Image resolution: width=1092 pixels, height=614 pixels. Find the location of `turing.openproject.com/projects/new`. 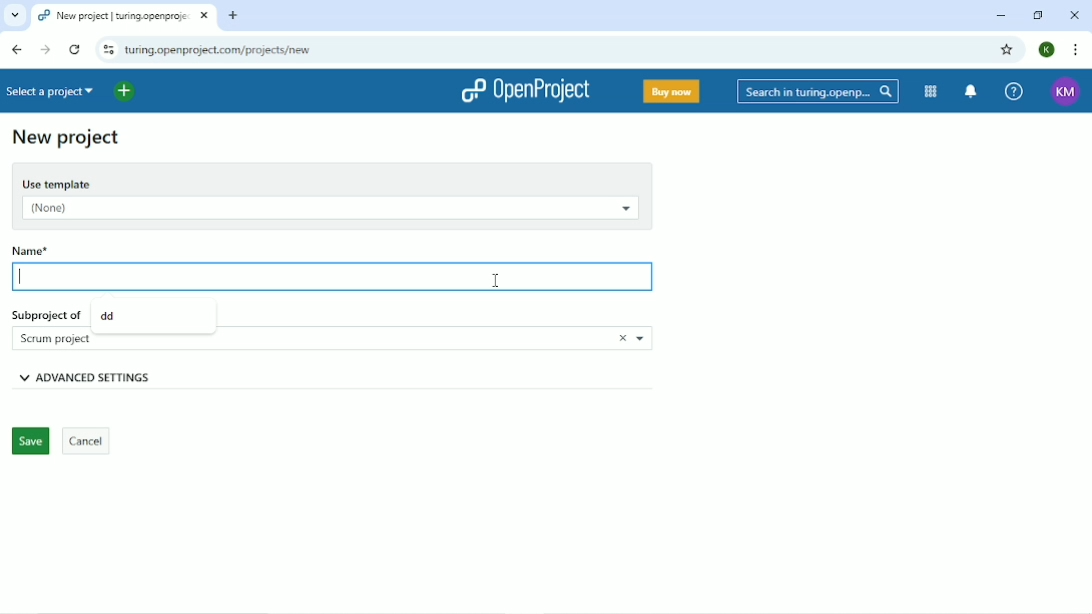

turing.openproject.com/projects/new is located at coordinates (248, 49).